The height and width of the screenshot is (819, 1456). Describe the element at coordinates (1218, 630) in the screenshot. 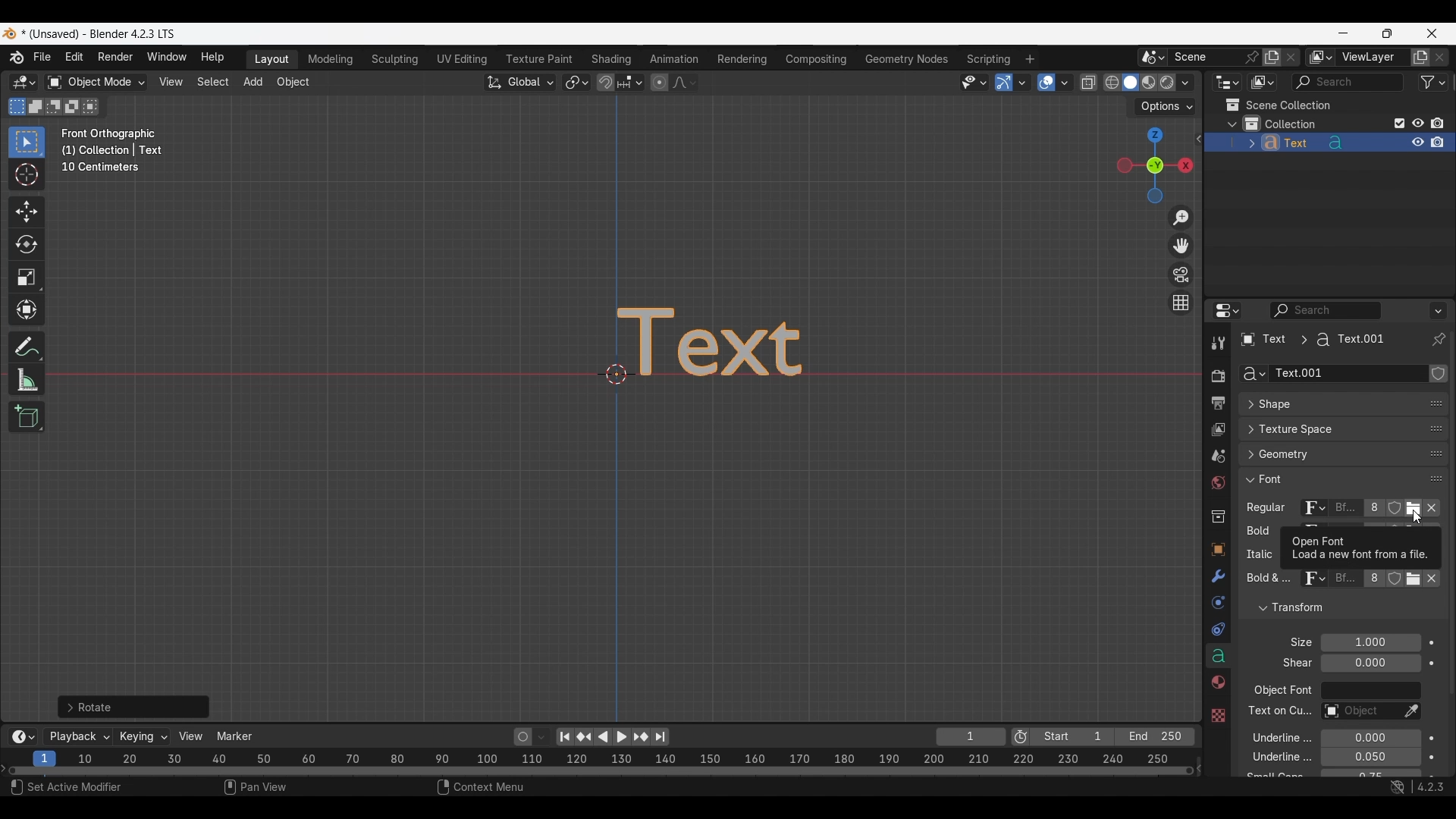

I see `Constraints` at that location.